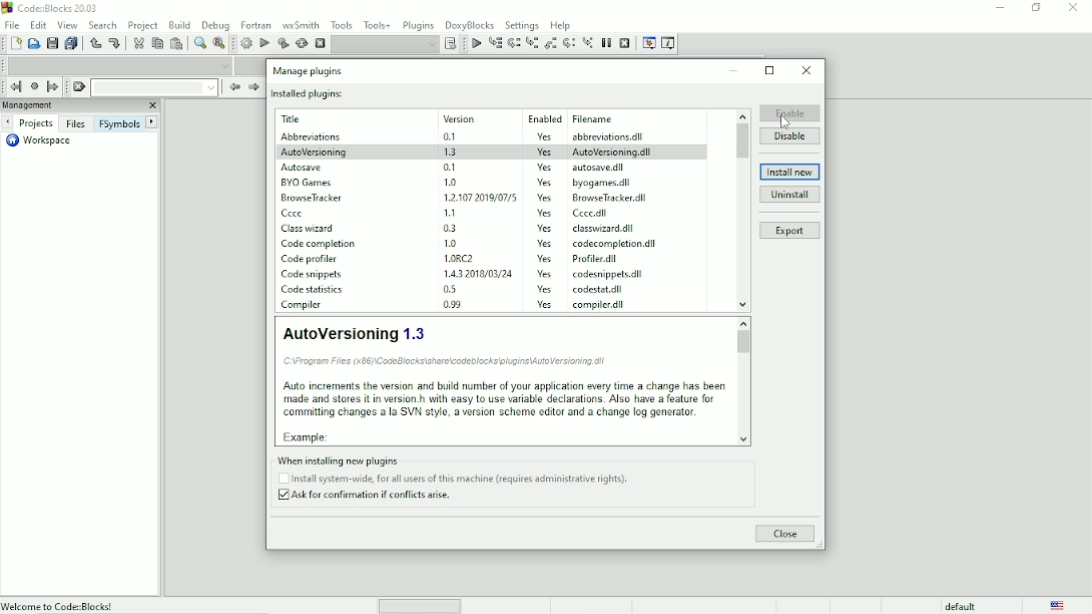  Describe the element at coordinates (1060, 605) in the screenshot. I see `Language` at that location.